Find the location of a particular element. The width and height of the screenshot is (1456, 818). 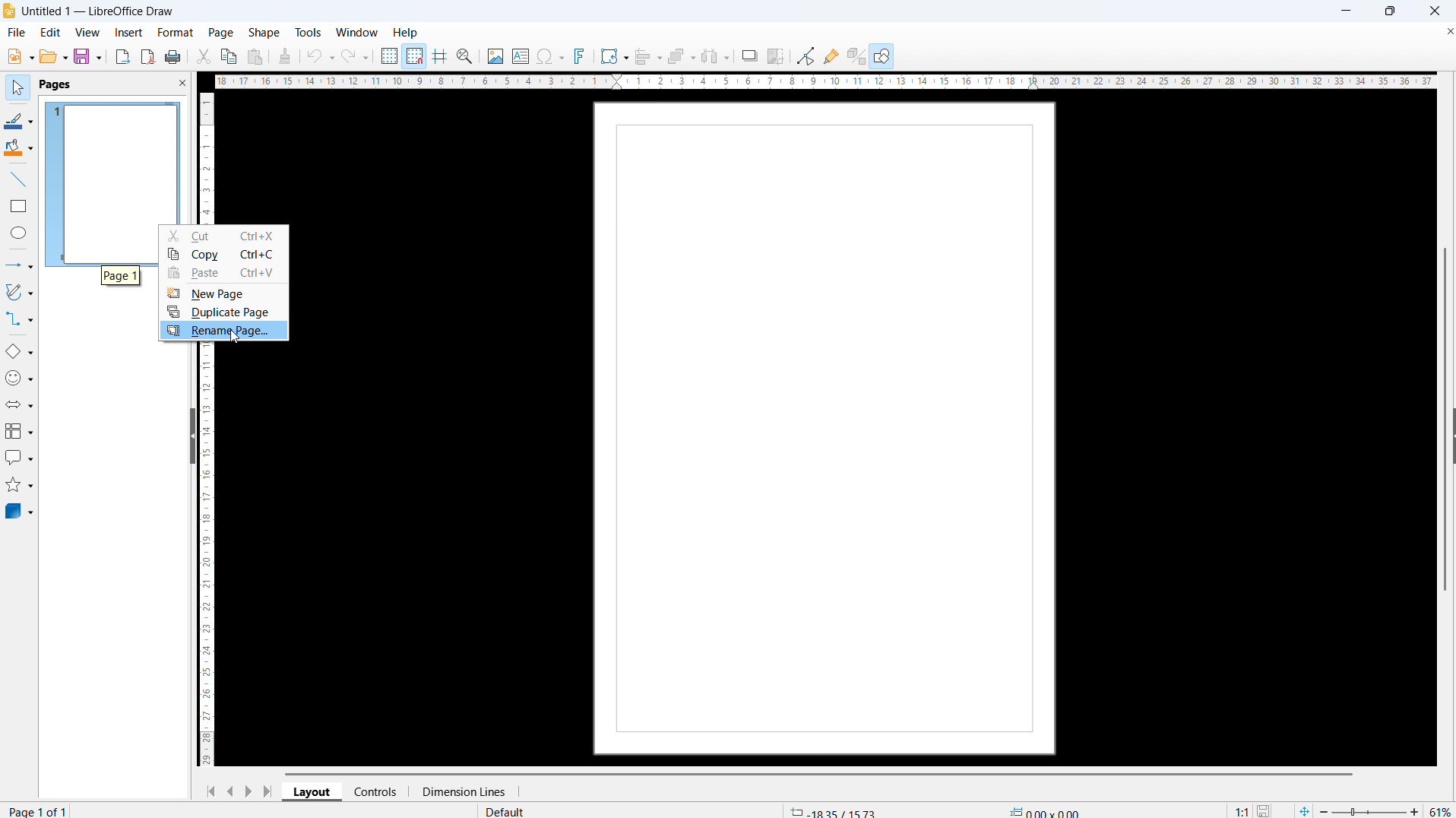

cut is located at coordinates (203, 55).